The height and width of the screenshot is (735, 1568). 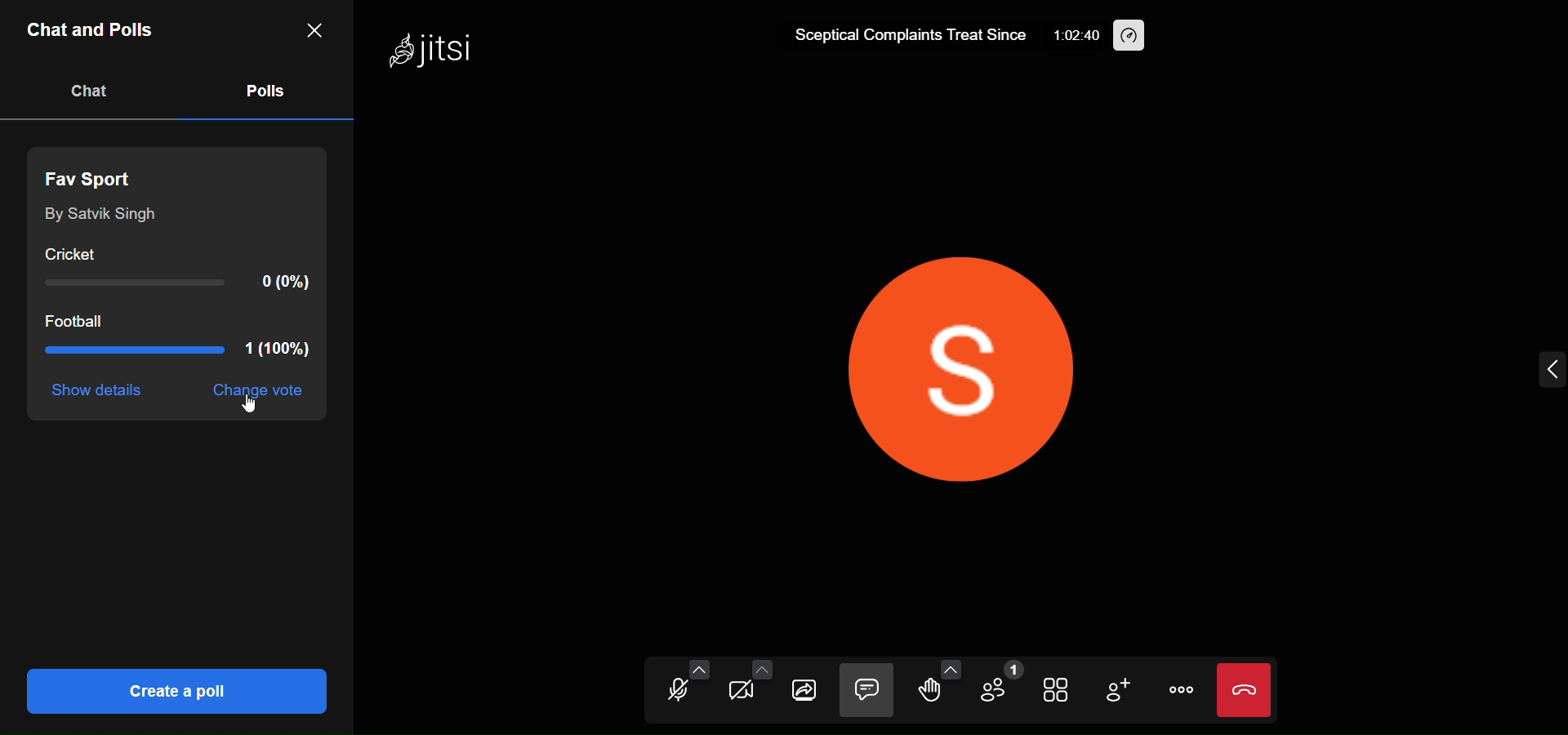 What do you see at coordinates (93, 33) in the screenshot?
I see `chats and polls` at bounding box center [93, 33].